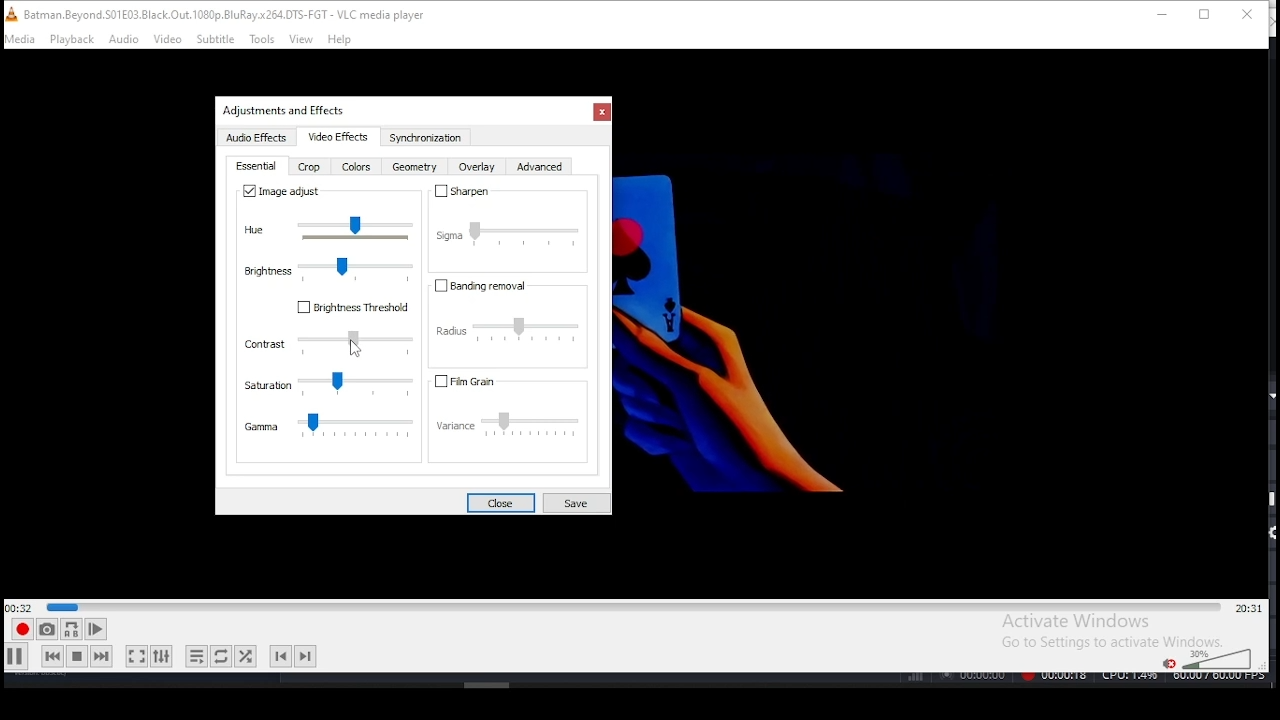 This screenshot has height=720, width=1280. Describe the element at coordinates (51, 658) in the screenshot. I see `previous media in track, skips backward when held` at that location.